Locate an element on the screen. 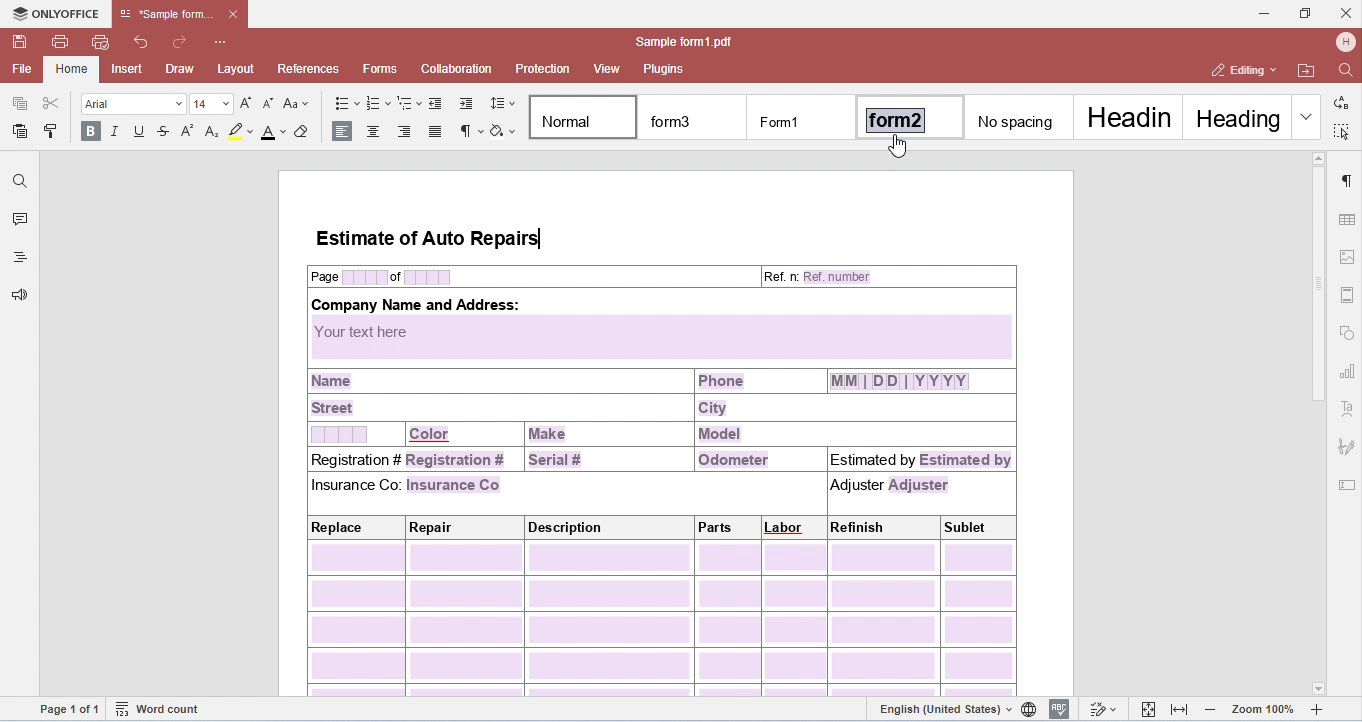  chart settings is located at coordinates (1347, 369).